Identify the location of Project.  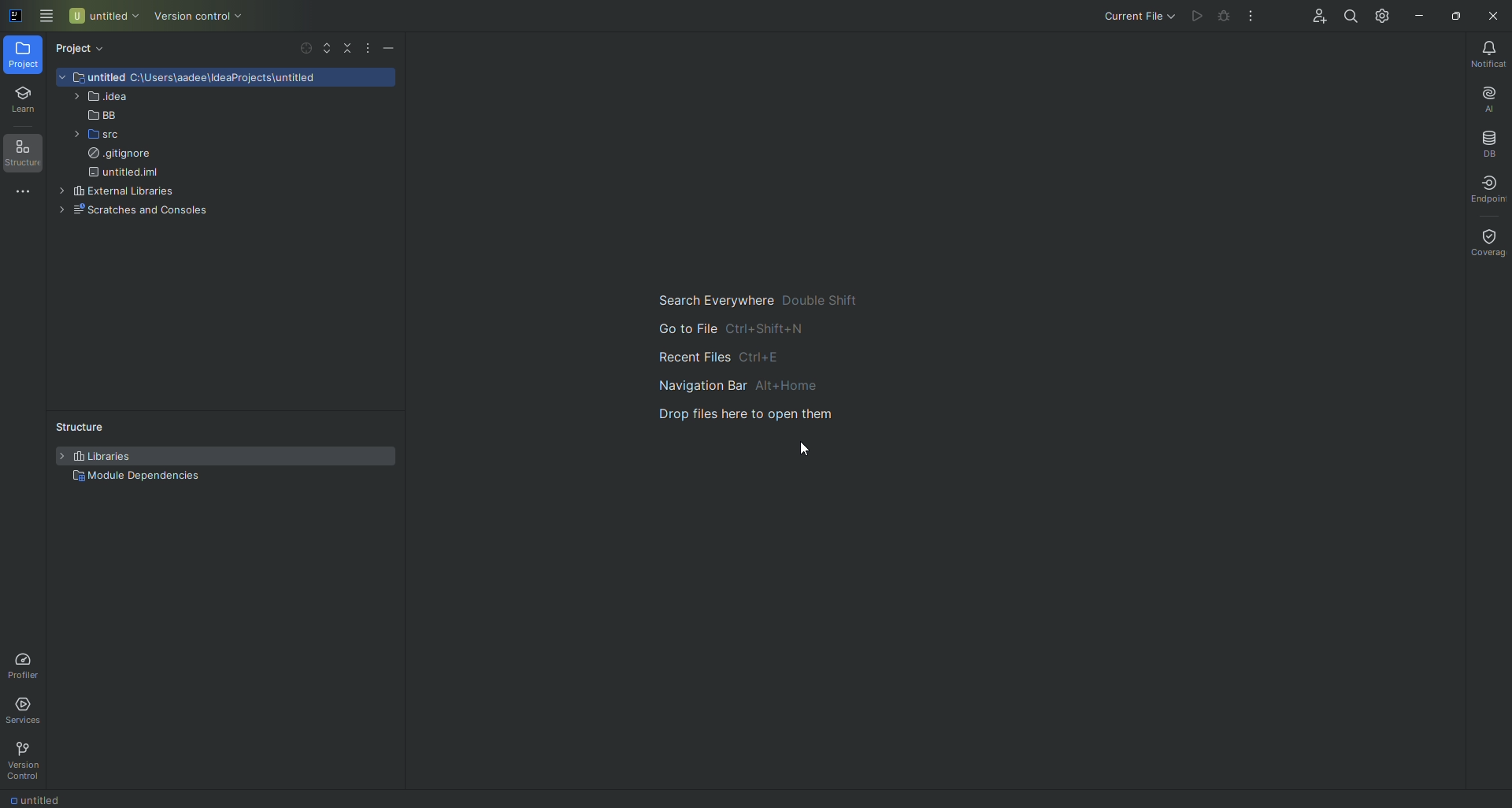
(83, 50).